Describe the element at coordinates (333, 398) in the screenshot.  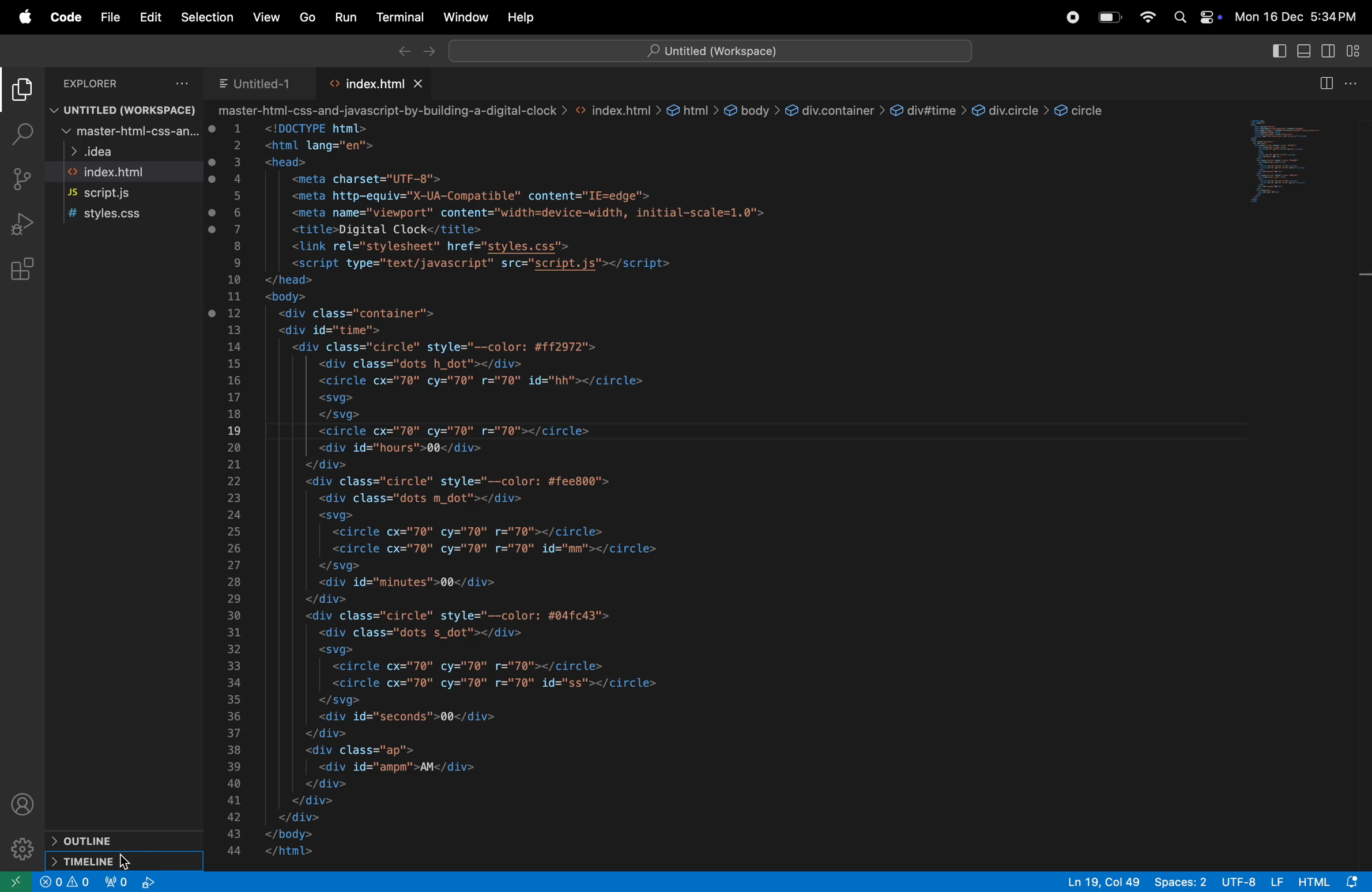
I see `| <svg>` at that location.